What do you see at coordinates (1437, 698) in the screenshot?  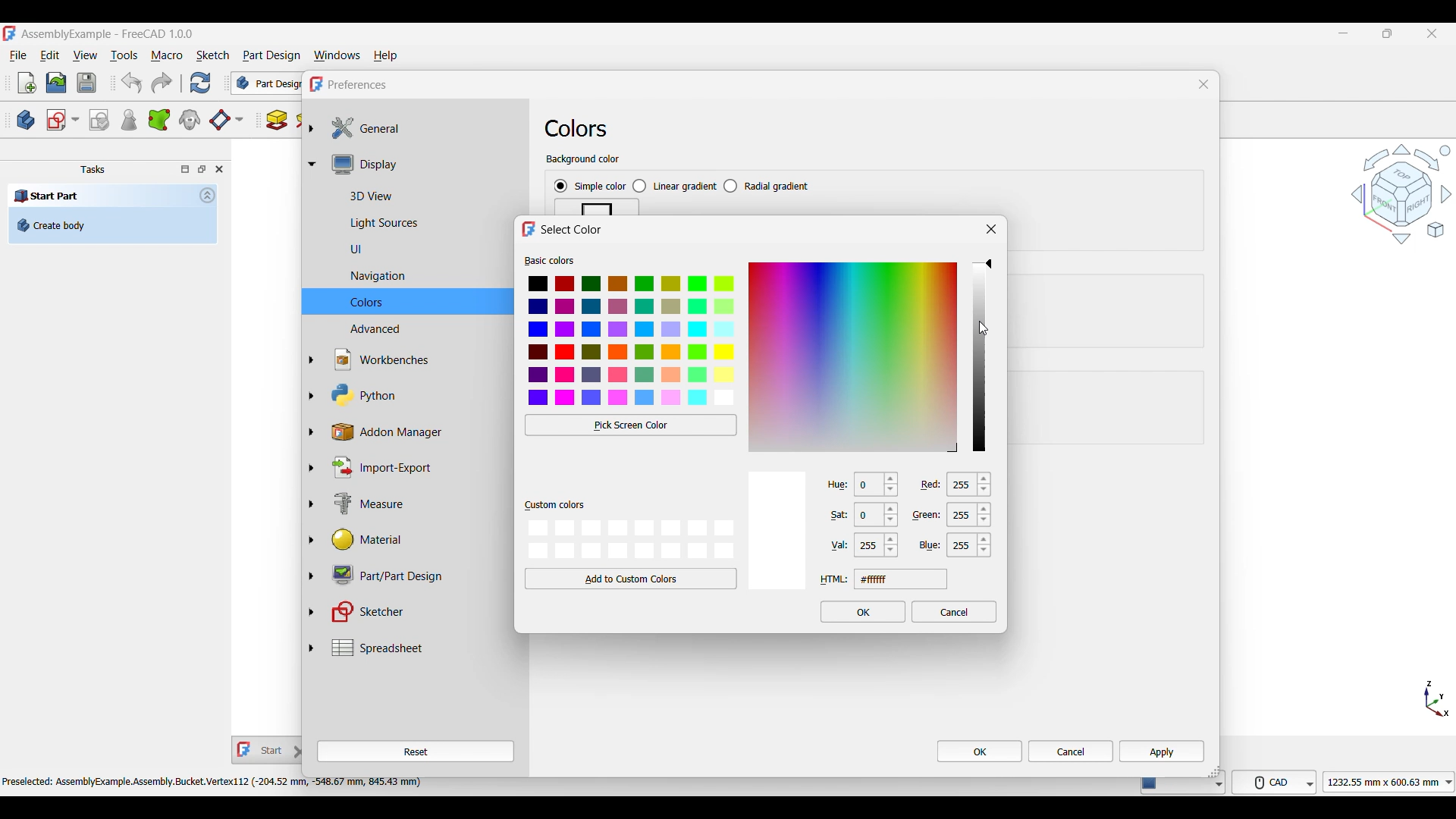 I see `Axis navigation` at bounding box center [1437, 698].